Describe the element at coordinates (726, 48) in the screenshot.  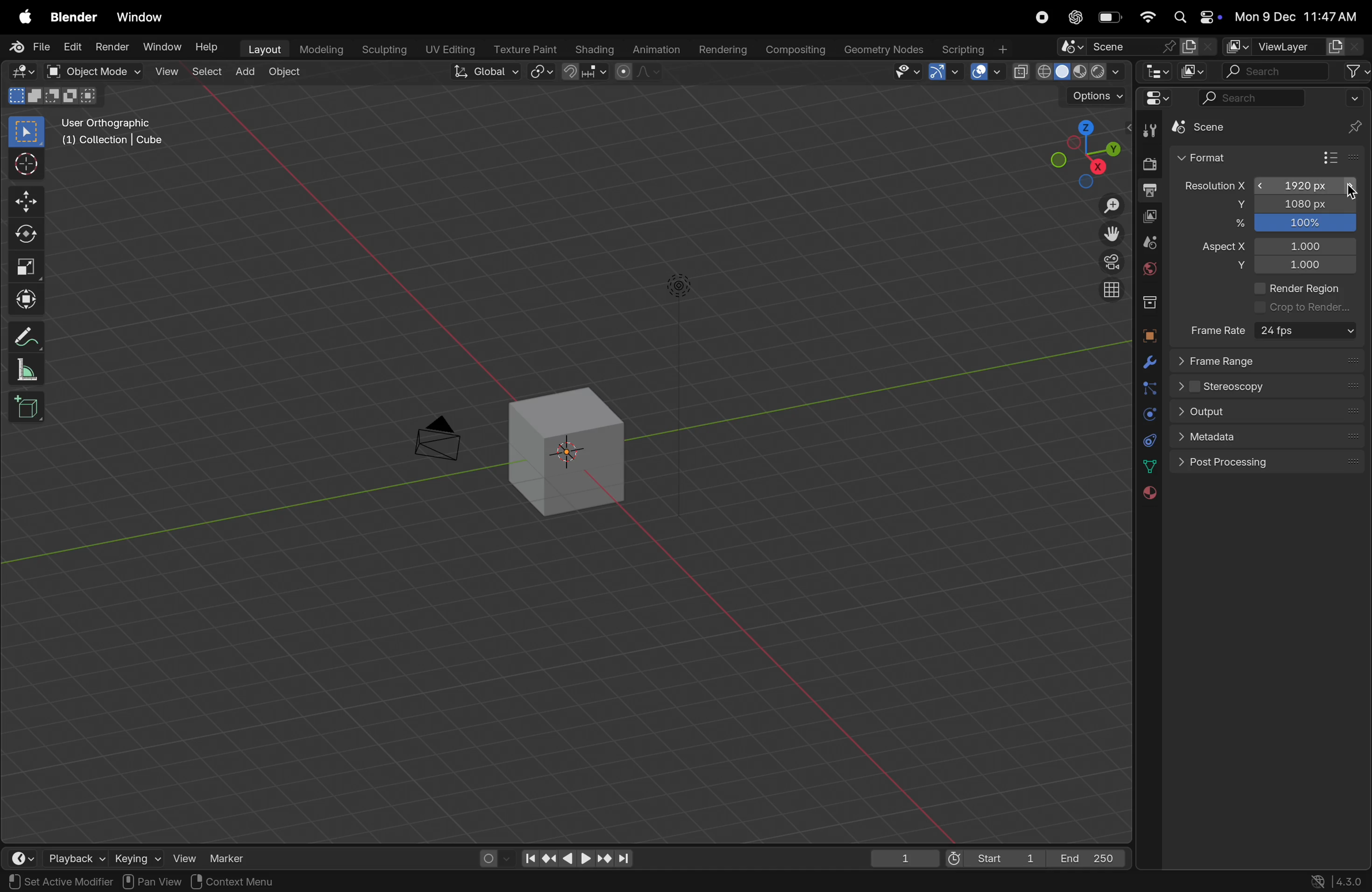
I see `Rendering` at that location.